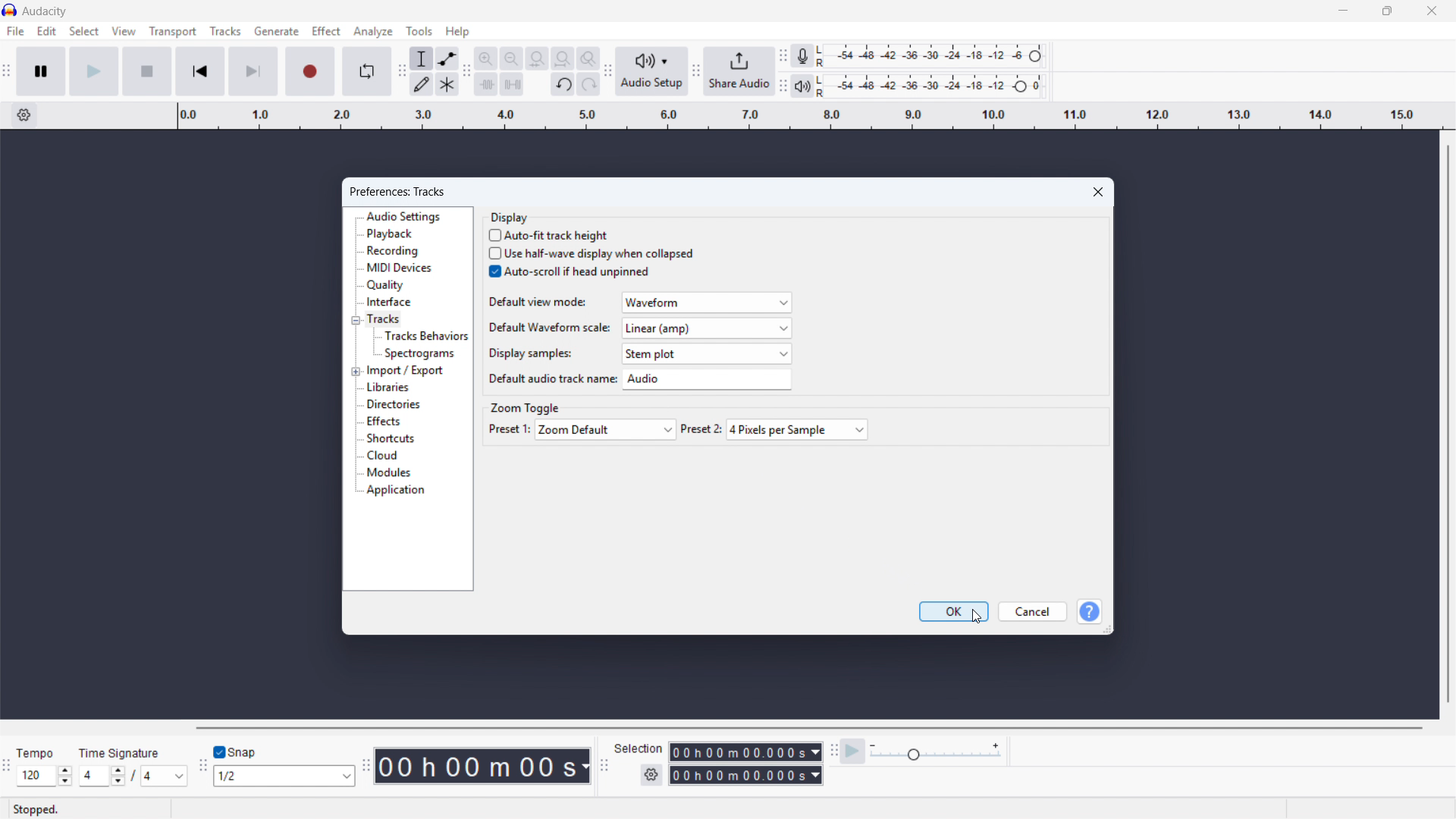 Image resolution: width=1456 pixels, height=819 pixels. I want to click on set snapping, so click(283, 776).